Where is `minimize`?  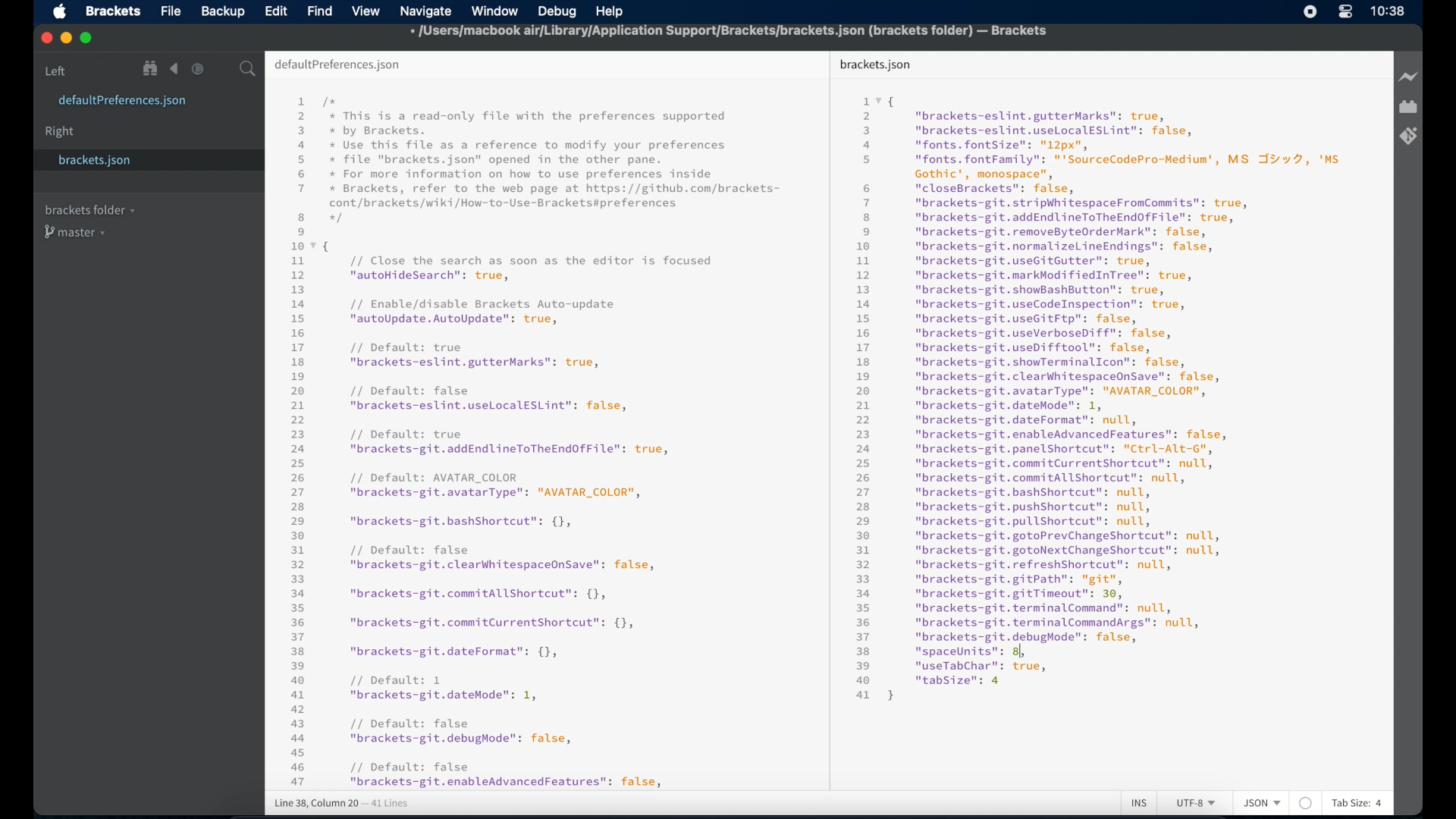 minimize is located at coordinates (67, 39).